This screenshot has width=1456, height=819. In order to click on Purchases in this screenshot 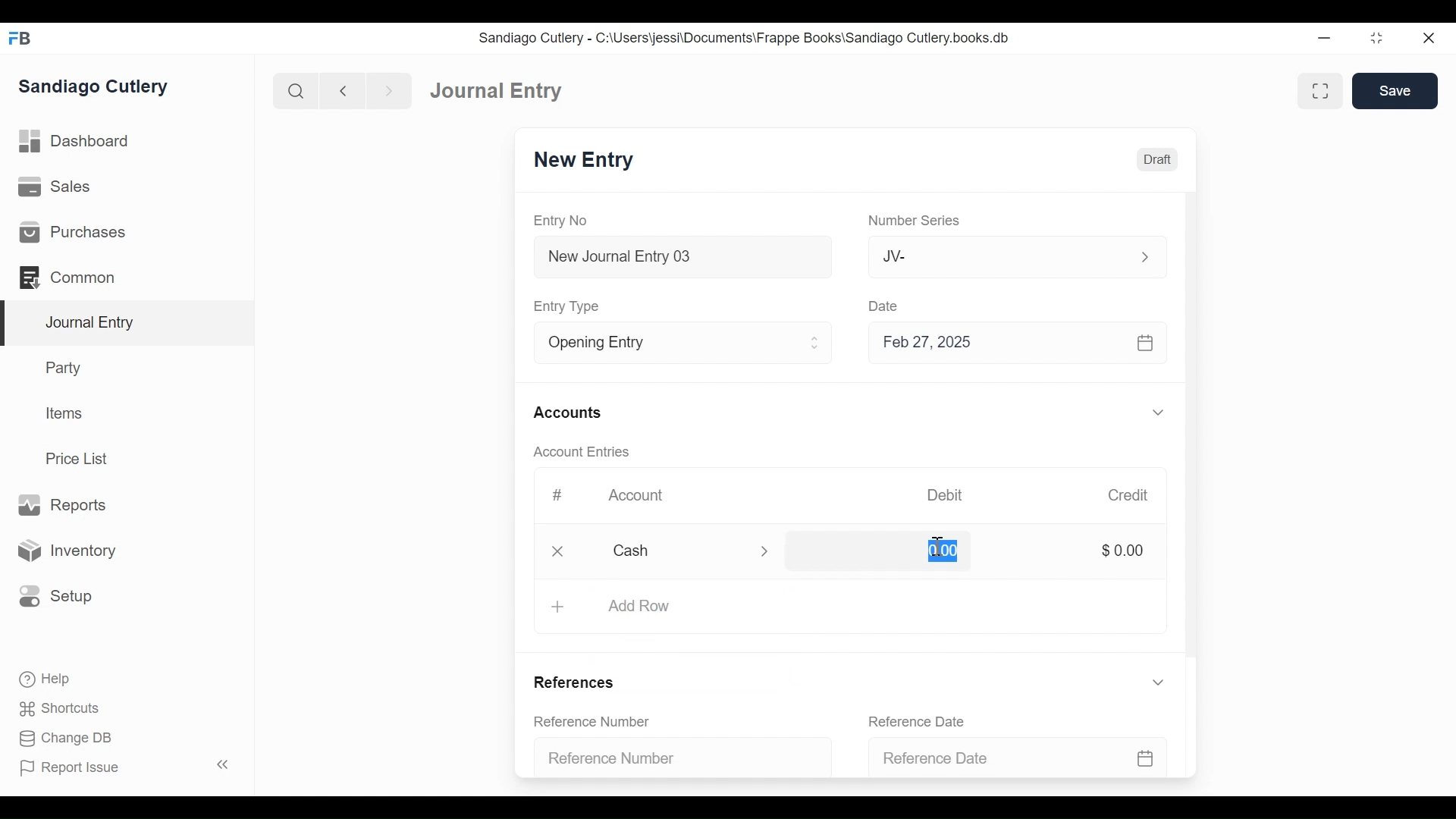, I will do `click(75, 232)`.